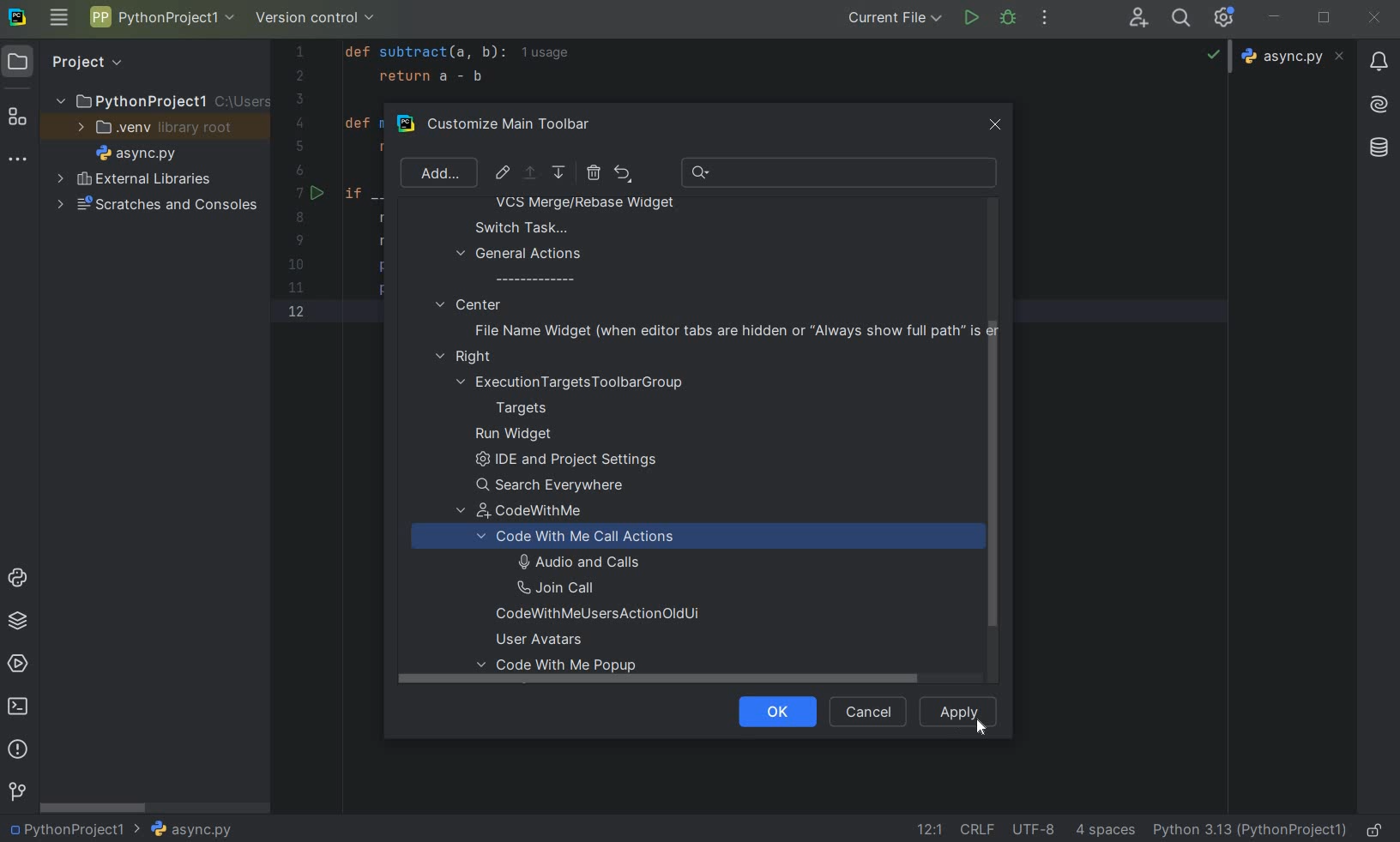 The width and height of the screenshot is (1400, 842). What do you see at coordinates (585, 204) in the screenshot?
I see `VCS Merge/rebase widget` at bounding box center [585, 204].